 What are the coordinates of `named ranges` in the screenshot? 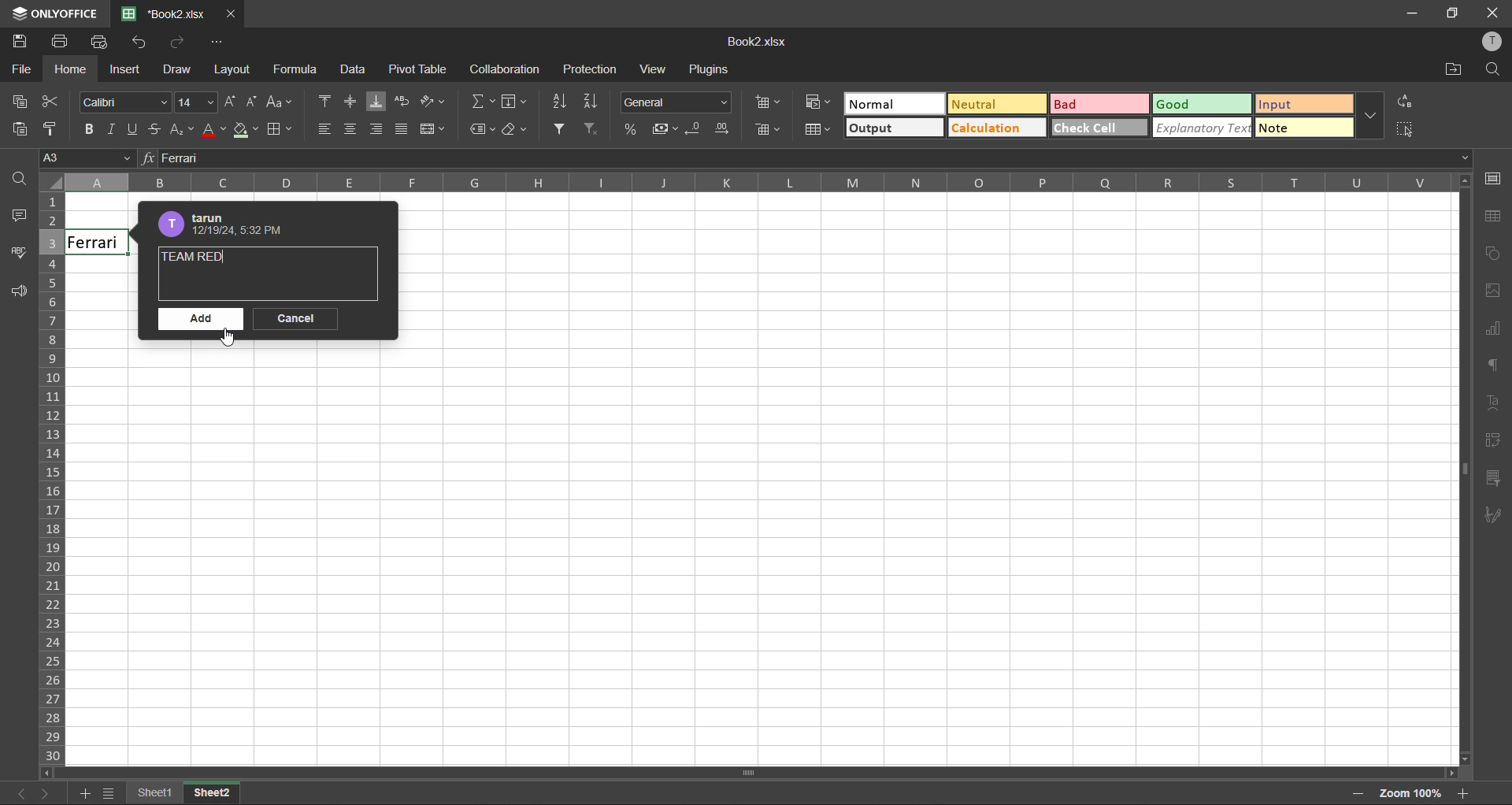 It's located at (483, 127).